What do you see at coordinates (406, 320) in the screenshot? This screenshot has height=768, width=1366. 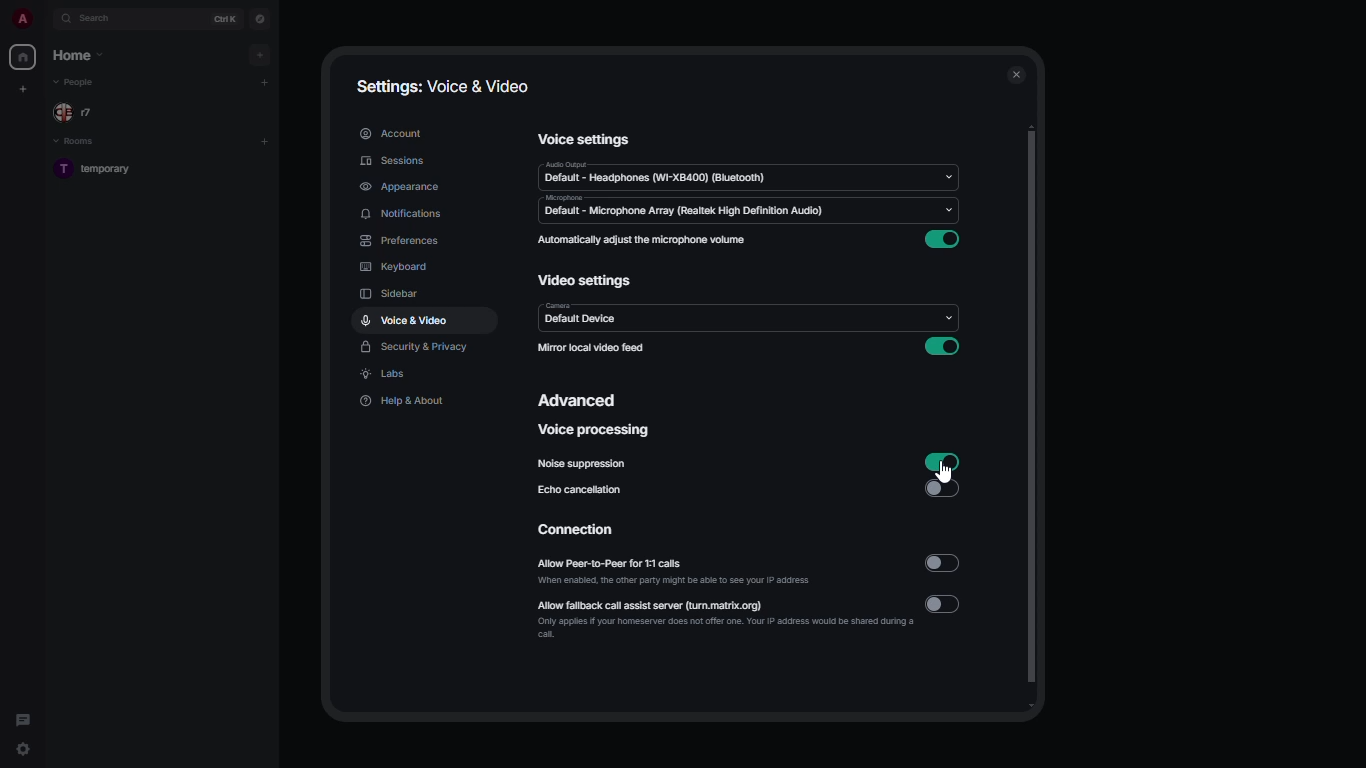 I see `voice & video` at bounding box center [406, 320].